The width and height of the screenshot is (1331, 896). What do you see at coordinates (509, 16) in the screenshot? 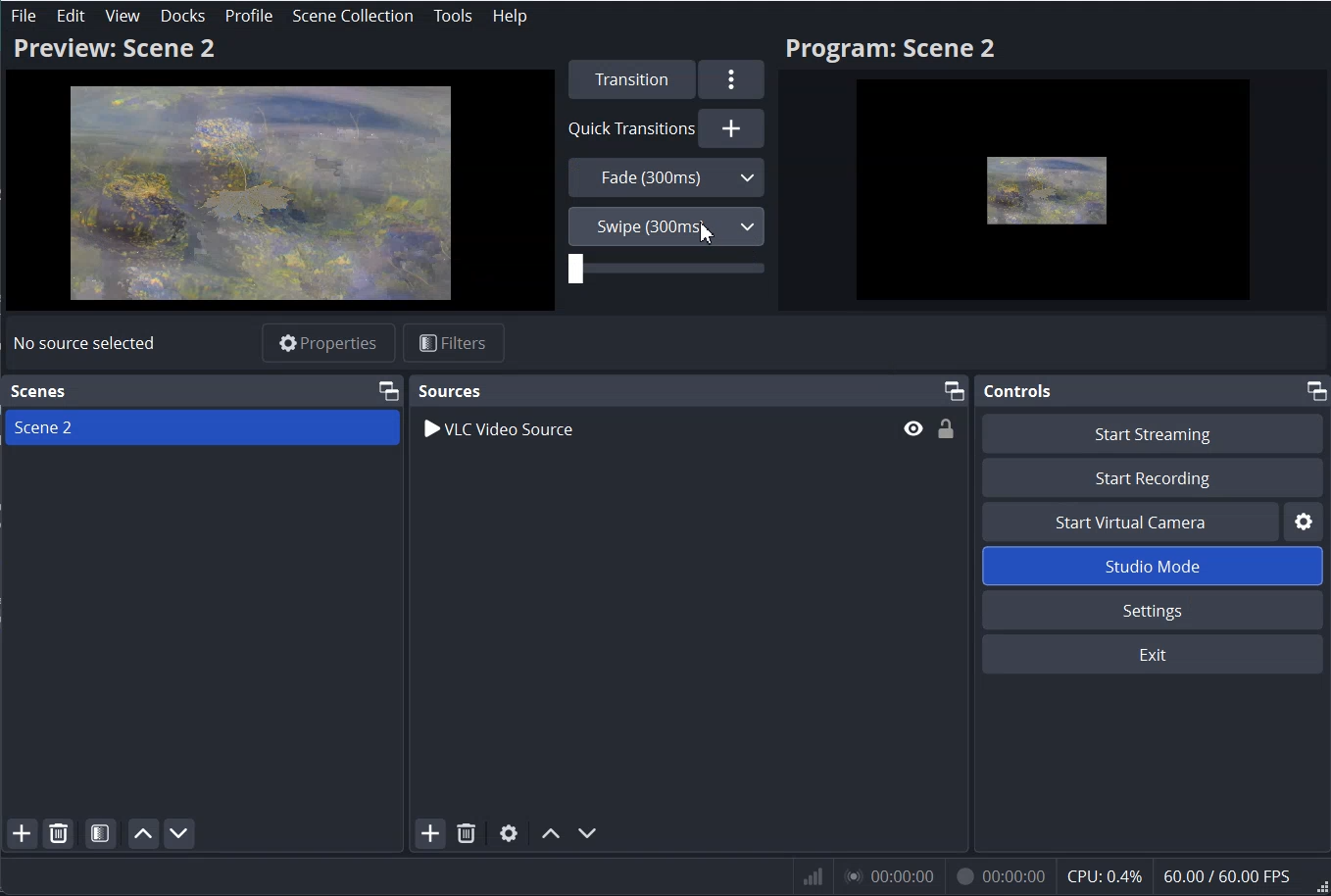
I see `Help` at bounding box center [509, 16].